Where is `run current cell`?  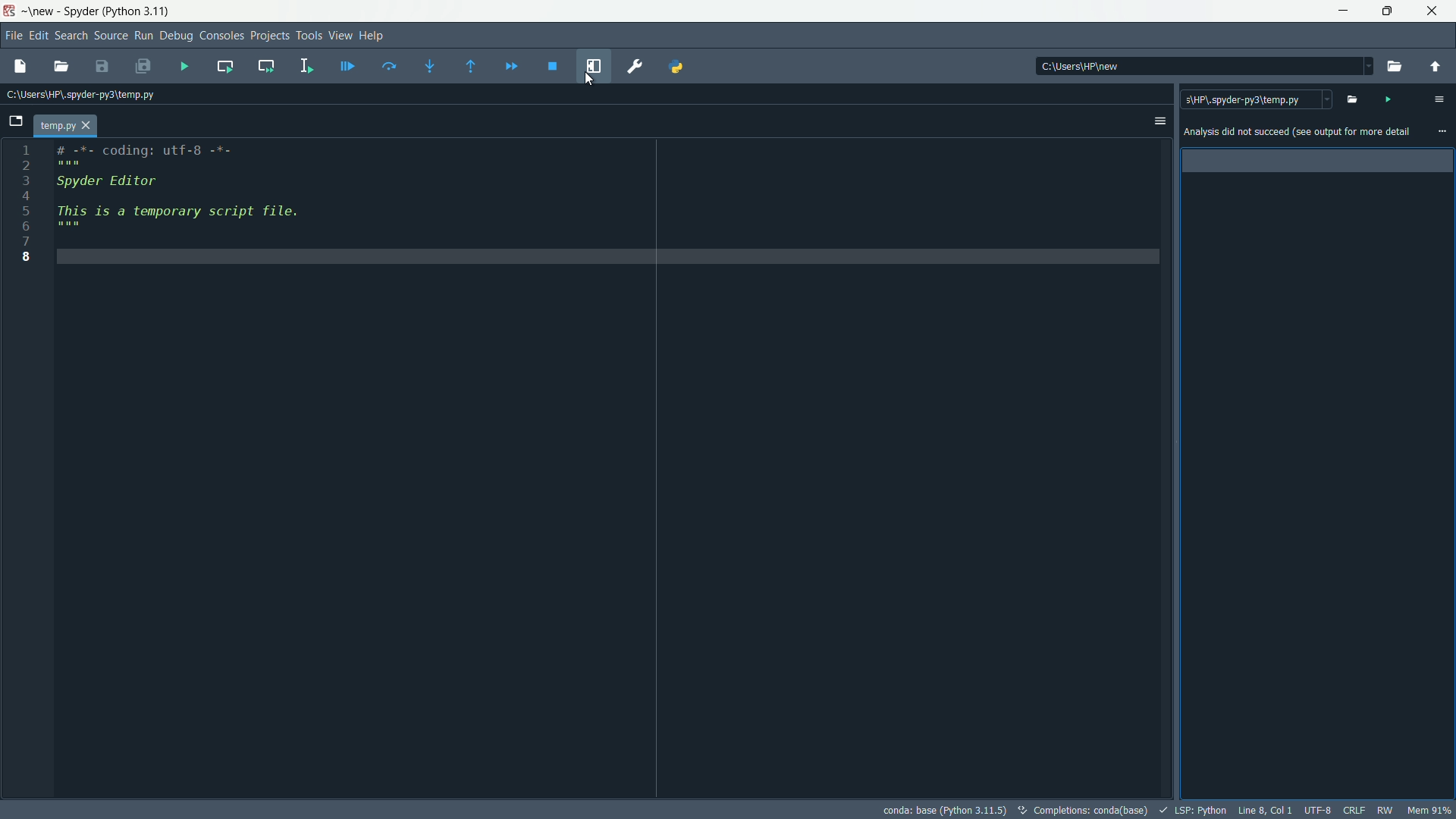 run current cell is located at coordinates (224, 65).